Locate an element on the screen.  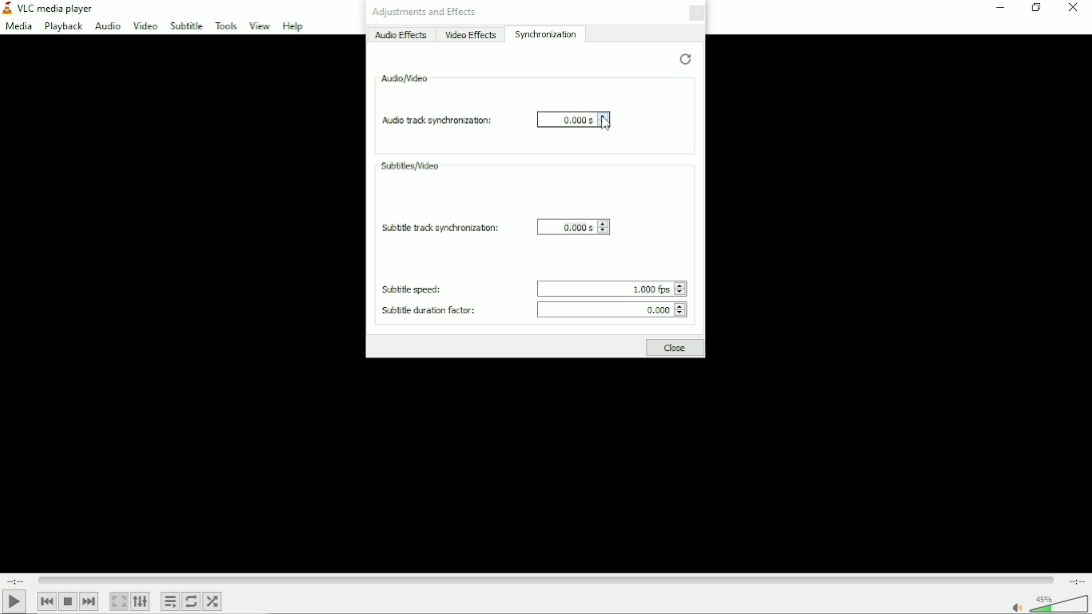
Play duration is located at coordinates (546, 578).